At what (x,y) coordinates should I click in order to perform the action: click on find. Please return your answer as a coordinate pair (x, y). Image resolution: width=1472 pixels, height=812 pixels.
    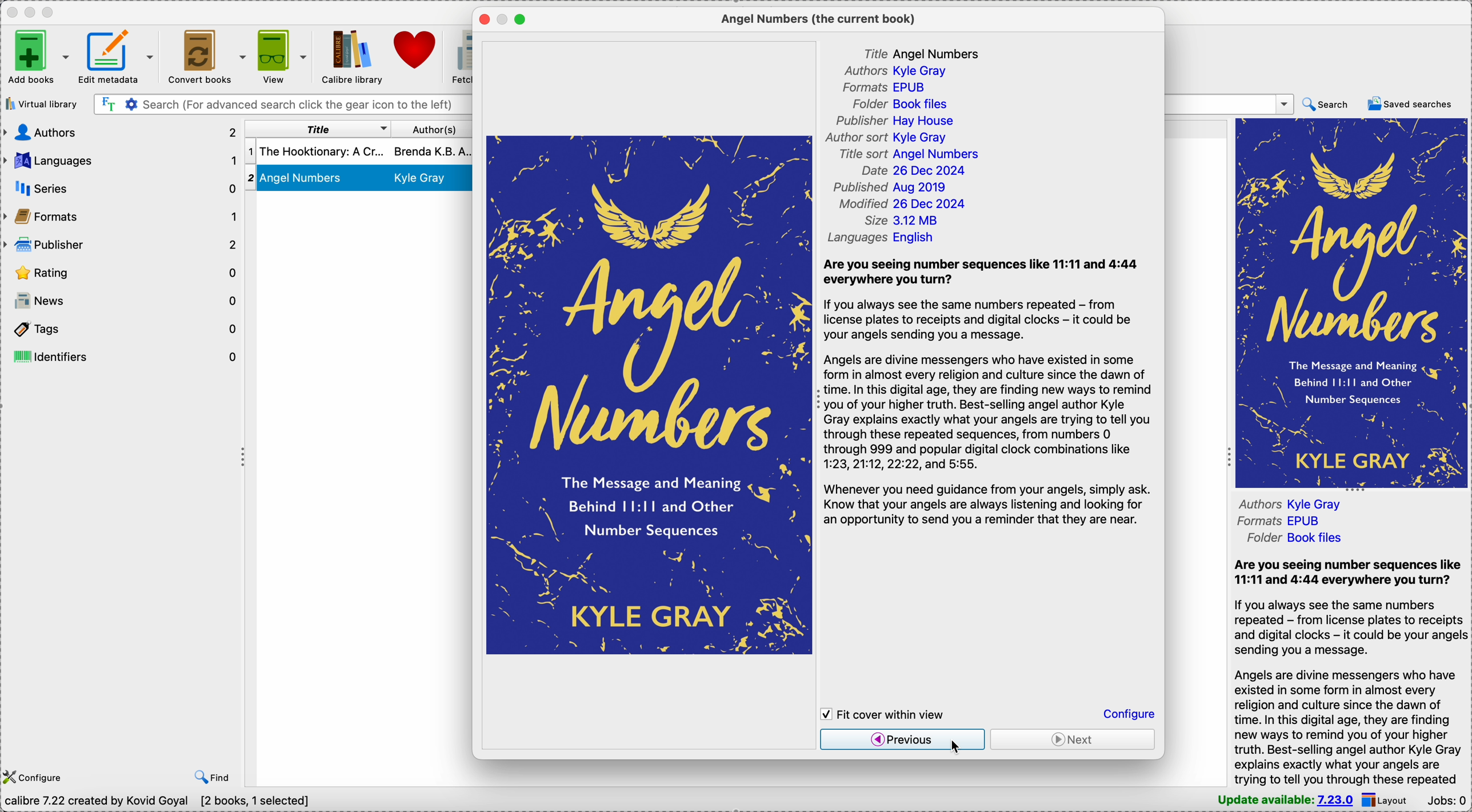
    Looking at the image, I should click on (213, 778).